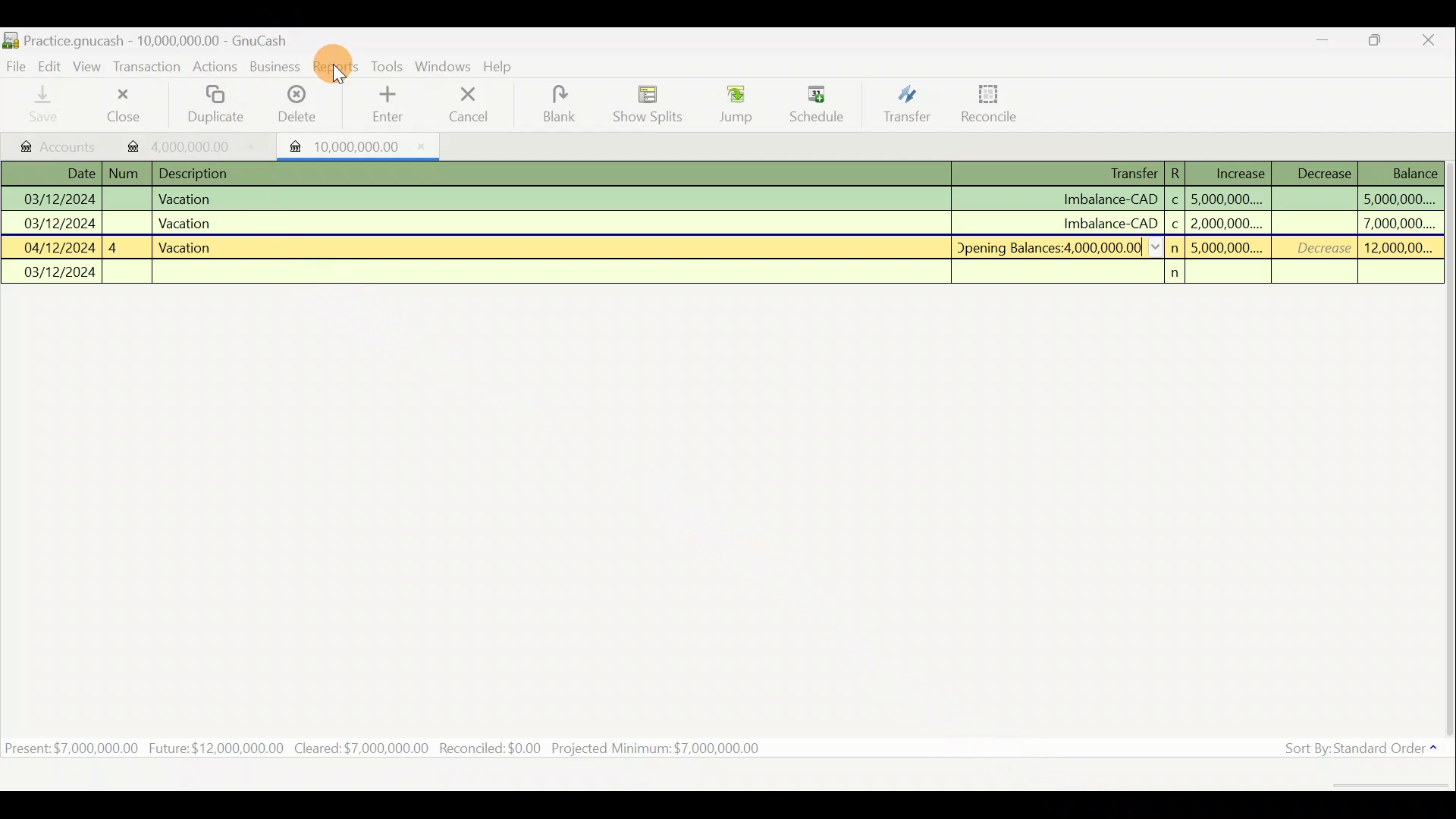 Image resolution: width=1456 pixels, height=819 pixels. I want to click on 5,000,000...., so click(1228, 247).